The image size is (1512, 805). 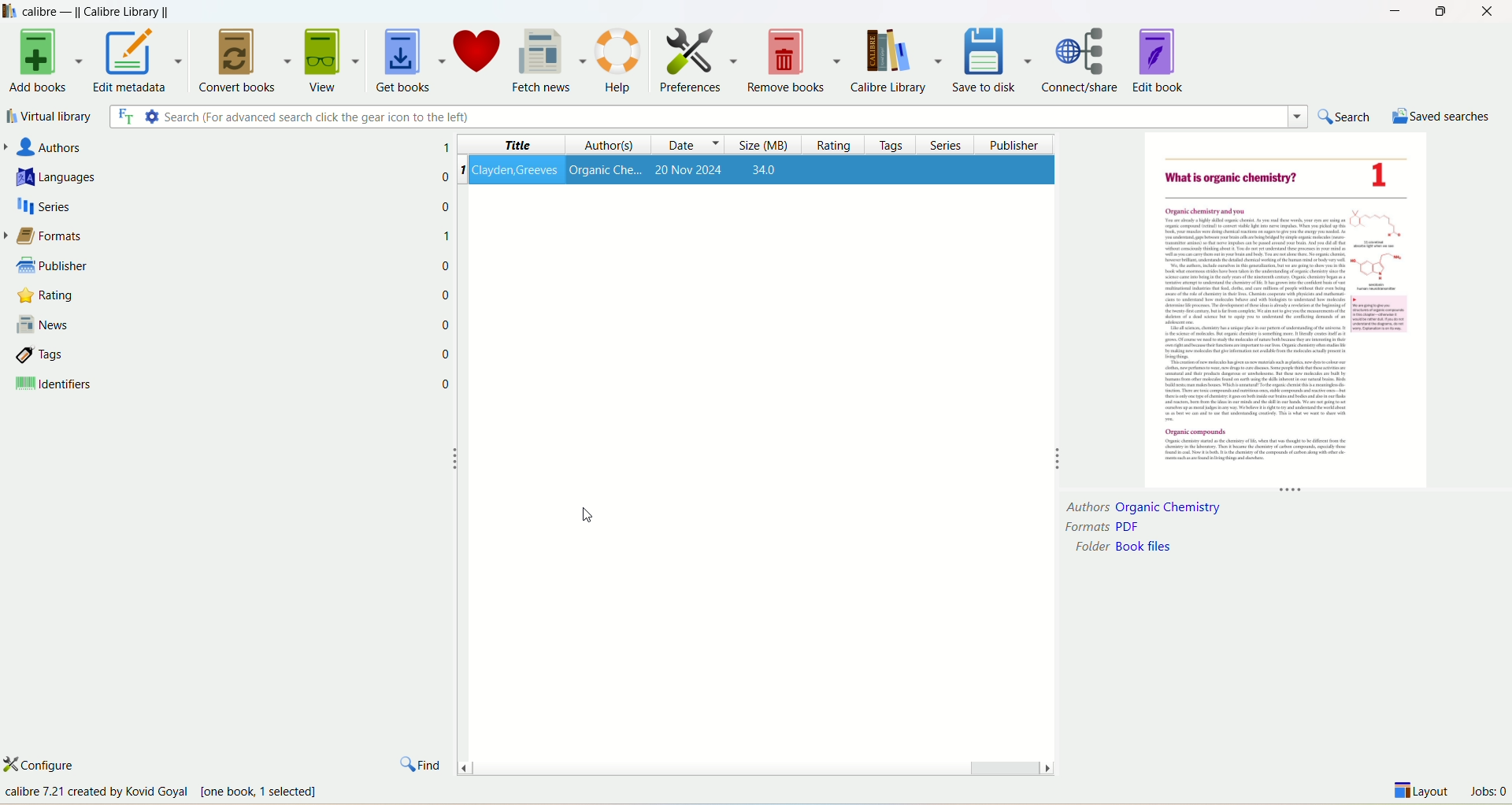 I want to click on jobs, so click(x=1488, y=793).